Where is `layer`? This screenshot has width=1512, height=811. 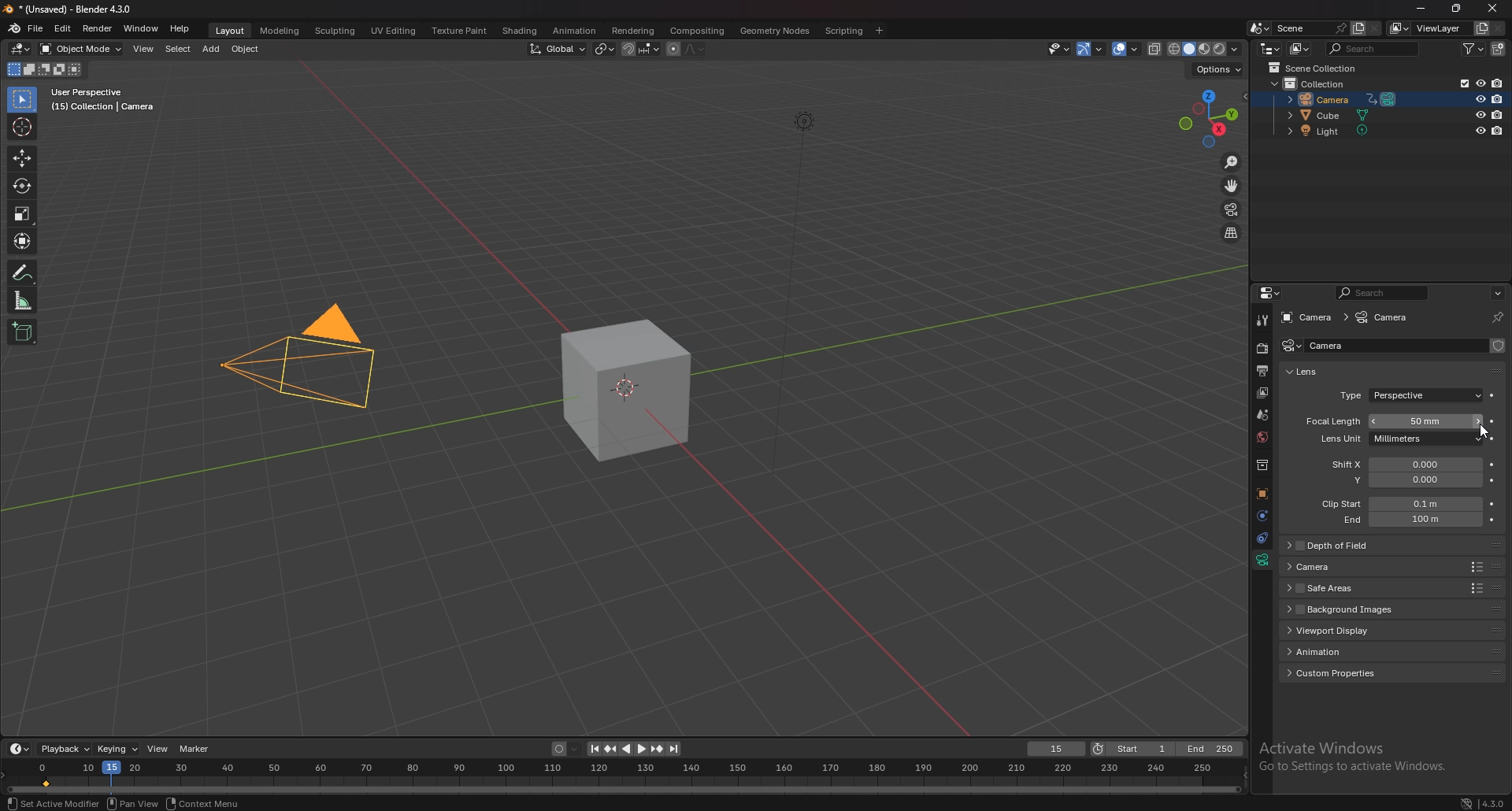
layer is located at coordinates (1262, 393).